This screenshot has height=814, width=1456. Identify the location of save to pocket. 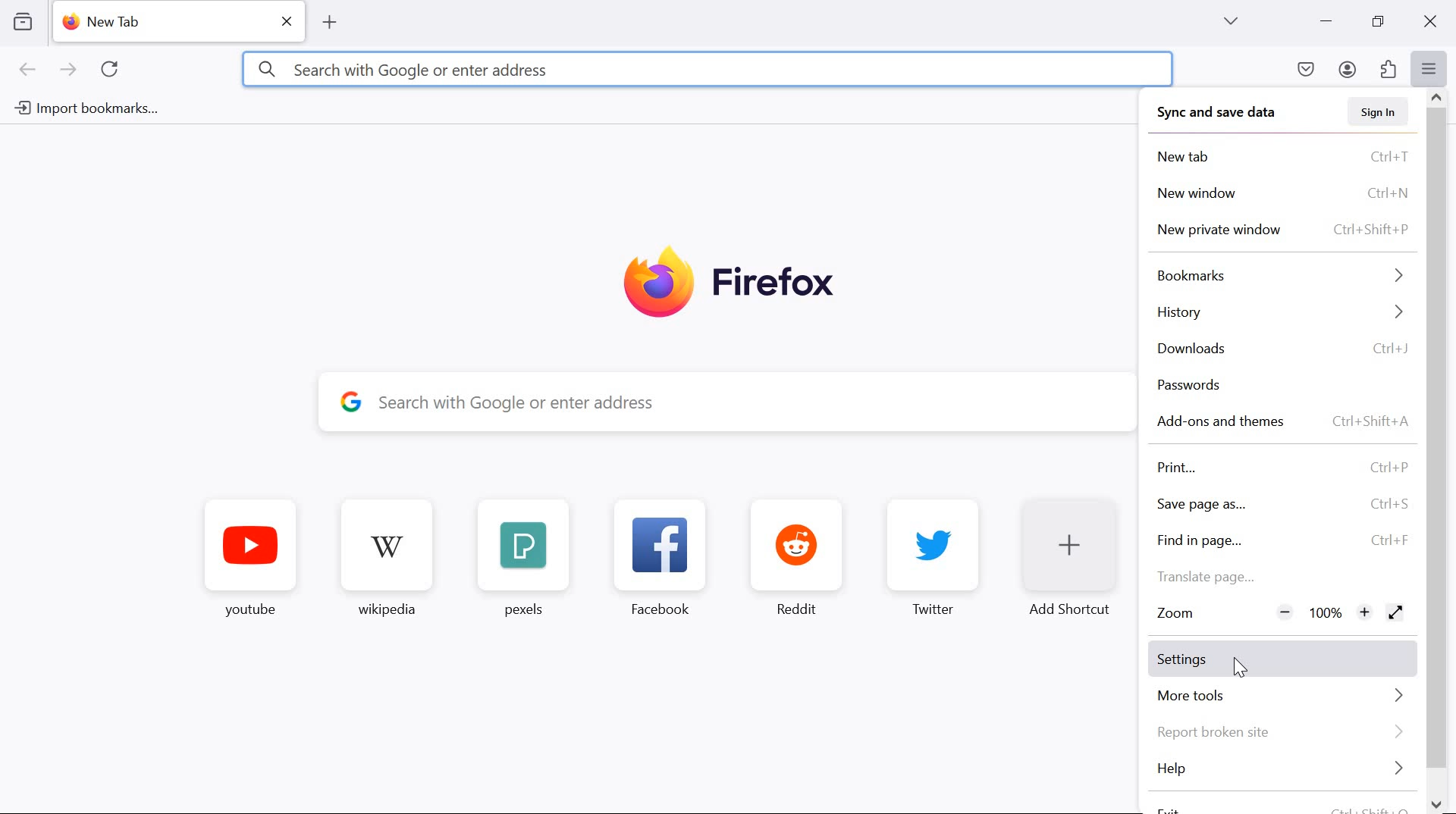
(1306, 70).